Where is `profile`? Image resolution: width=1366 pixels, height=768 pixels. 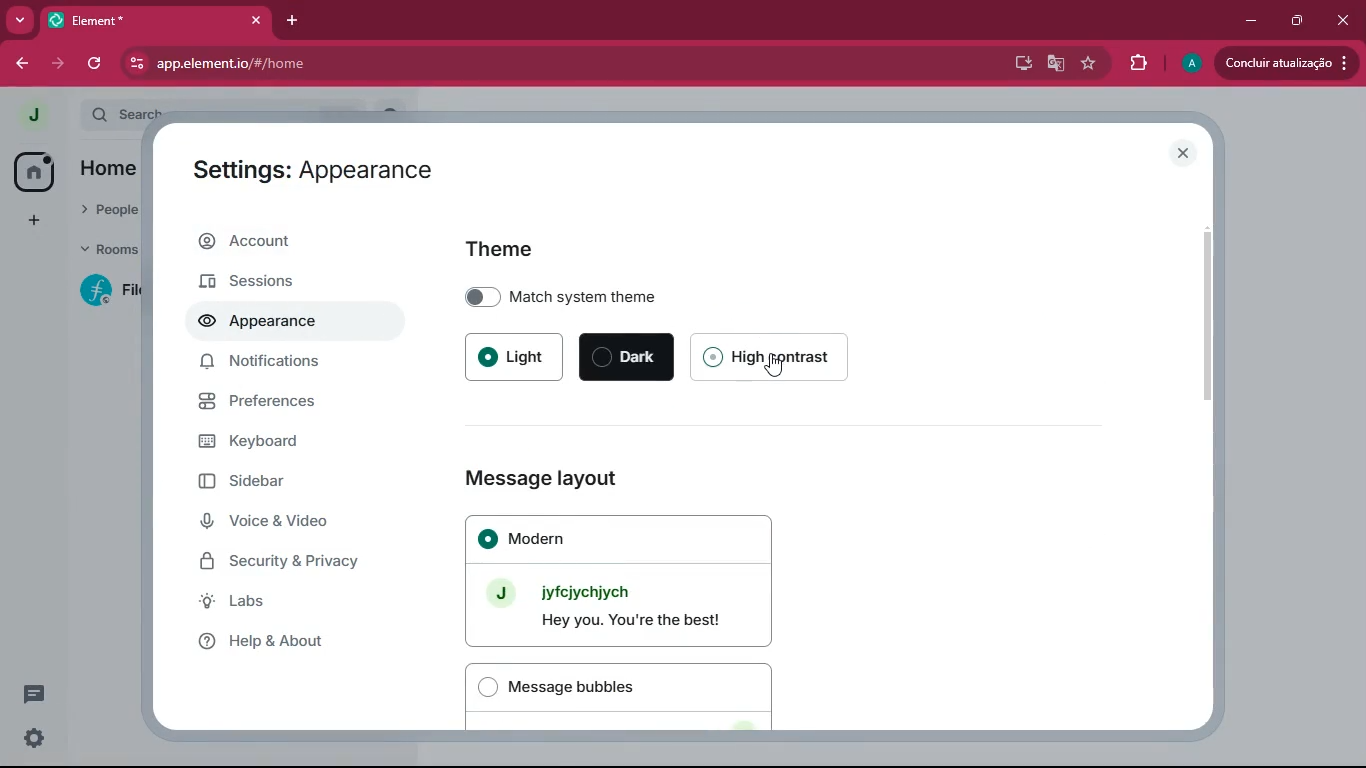 profile is located at coordinates (1192, 65).